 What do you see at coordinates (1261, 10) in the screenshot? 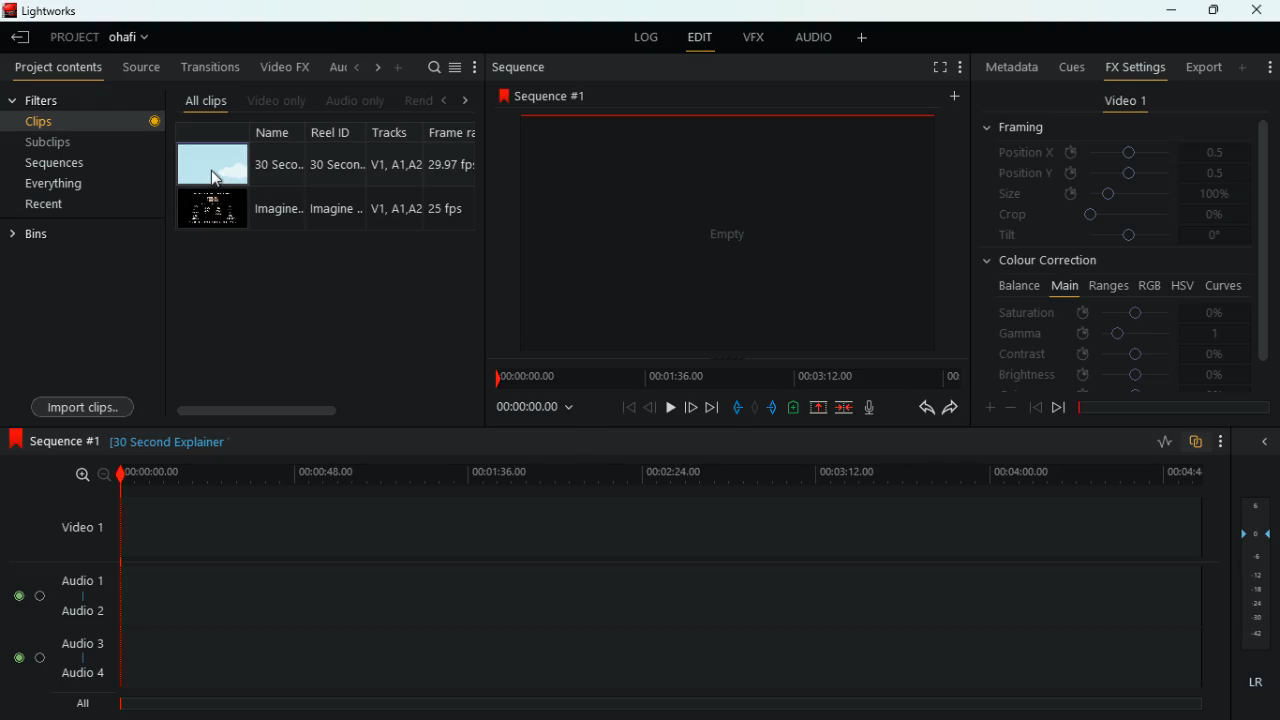
I see `close` at bounding box center [1261, 10].